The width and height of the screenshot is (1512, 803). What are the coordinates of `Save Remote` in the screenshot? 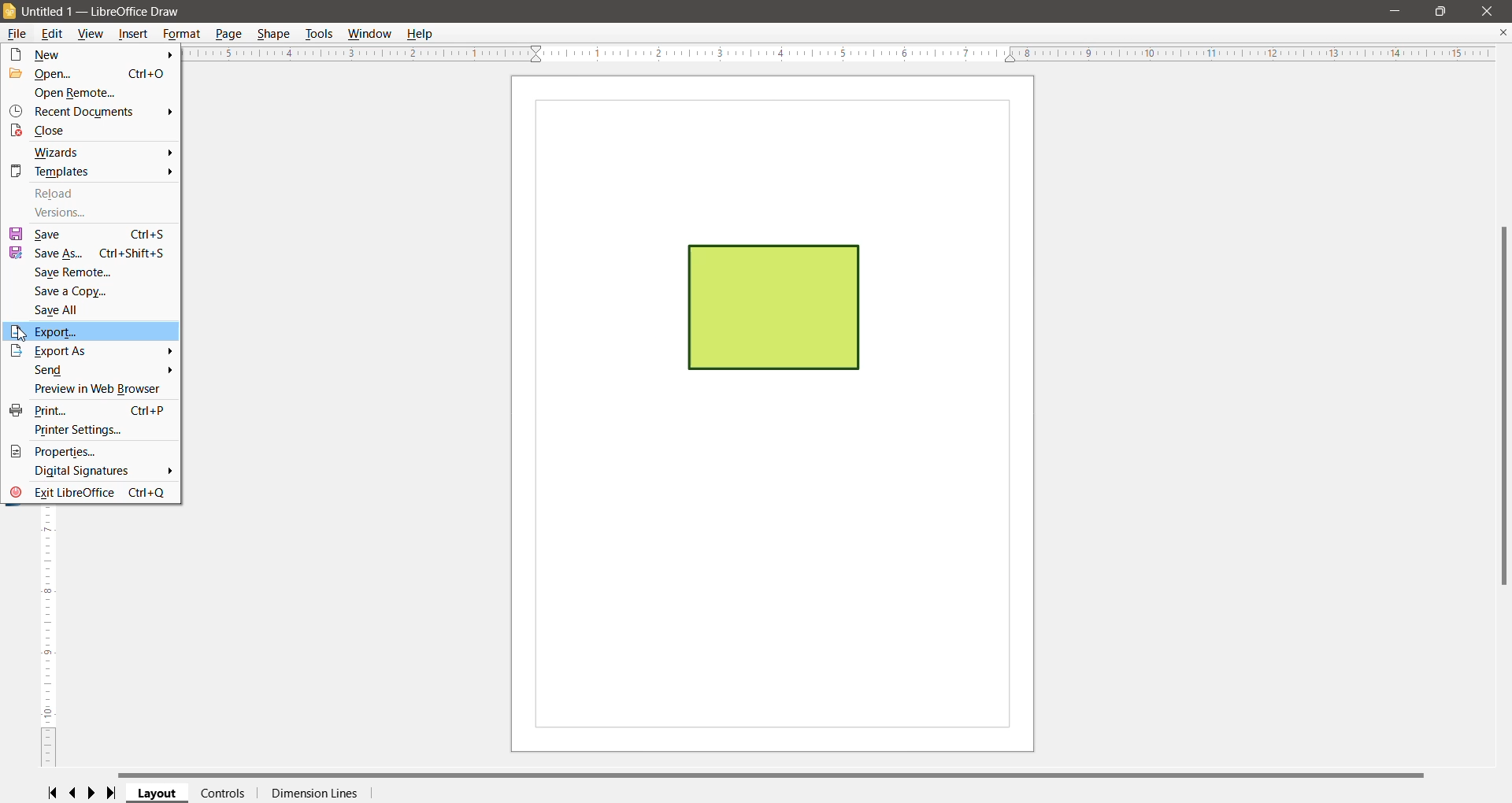 It's located at (74, 272).